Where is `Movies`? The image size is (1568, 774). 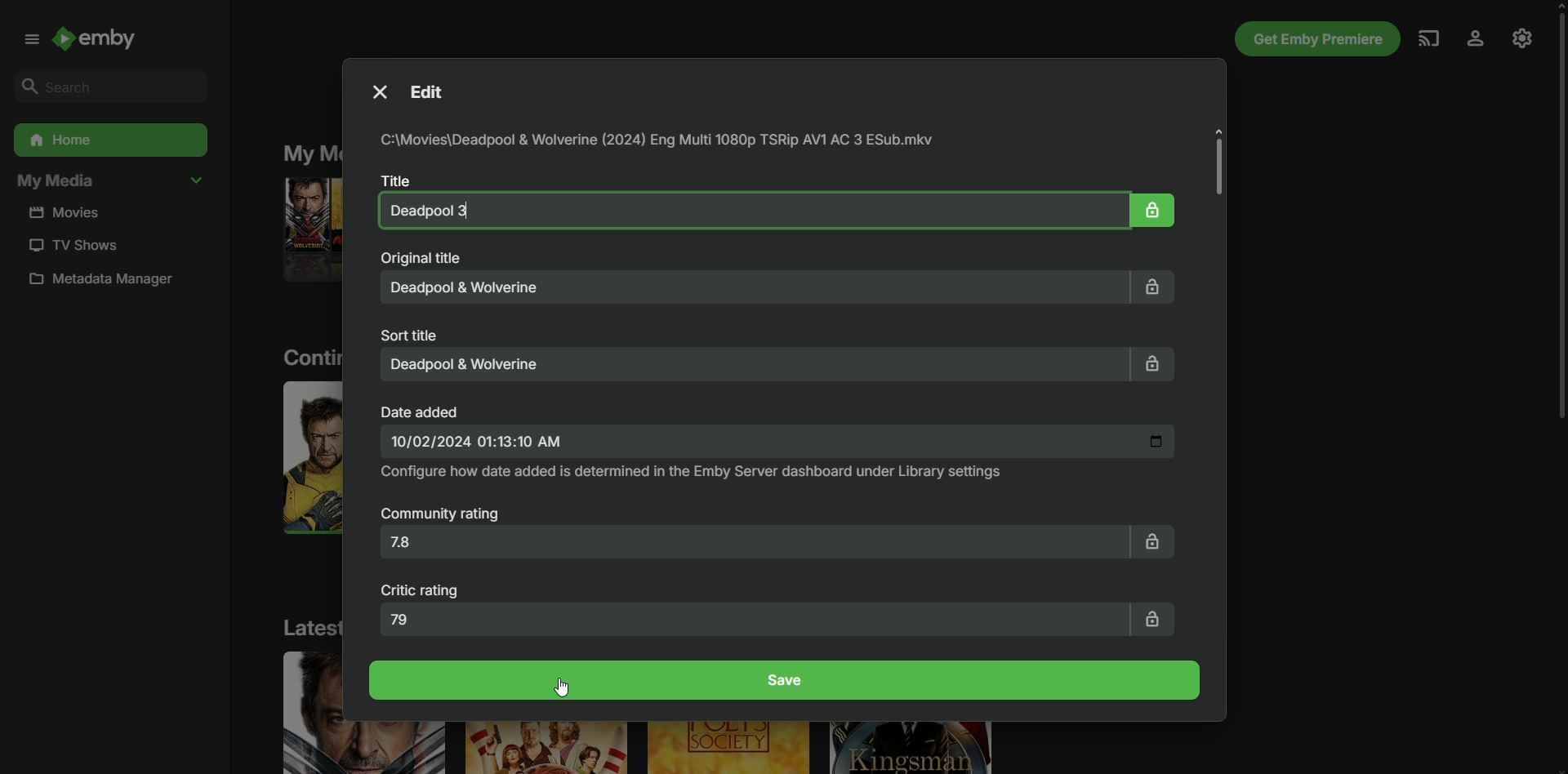 Movies is located at coordinates (72, 213).